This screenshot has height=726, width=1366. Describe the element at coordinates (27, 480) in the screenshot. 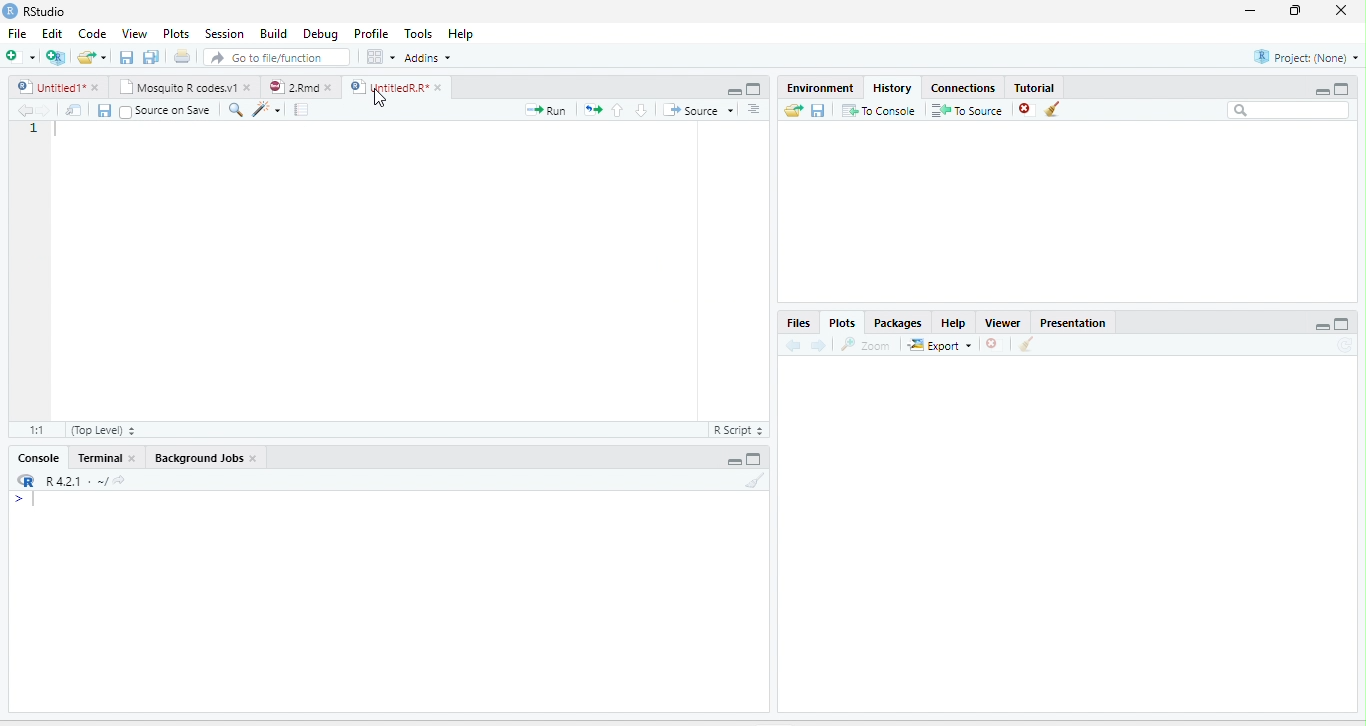

I see `R` at that location.